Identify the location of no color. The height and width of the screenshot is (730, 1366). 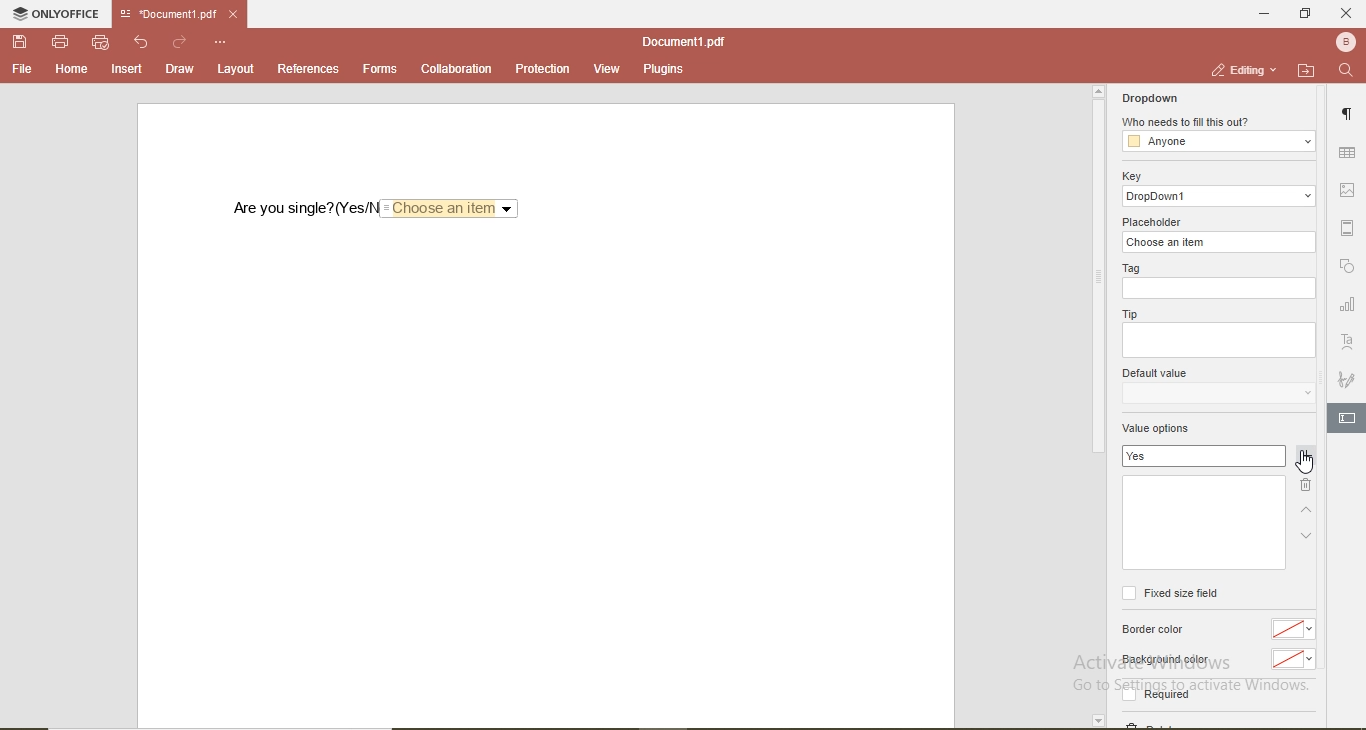
(1292, 630).